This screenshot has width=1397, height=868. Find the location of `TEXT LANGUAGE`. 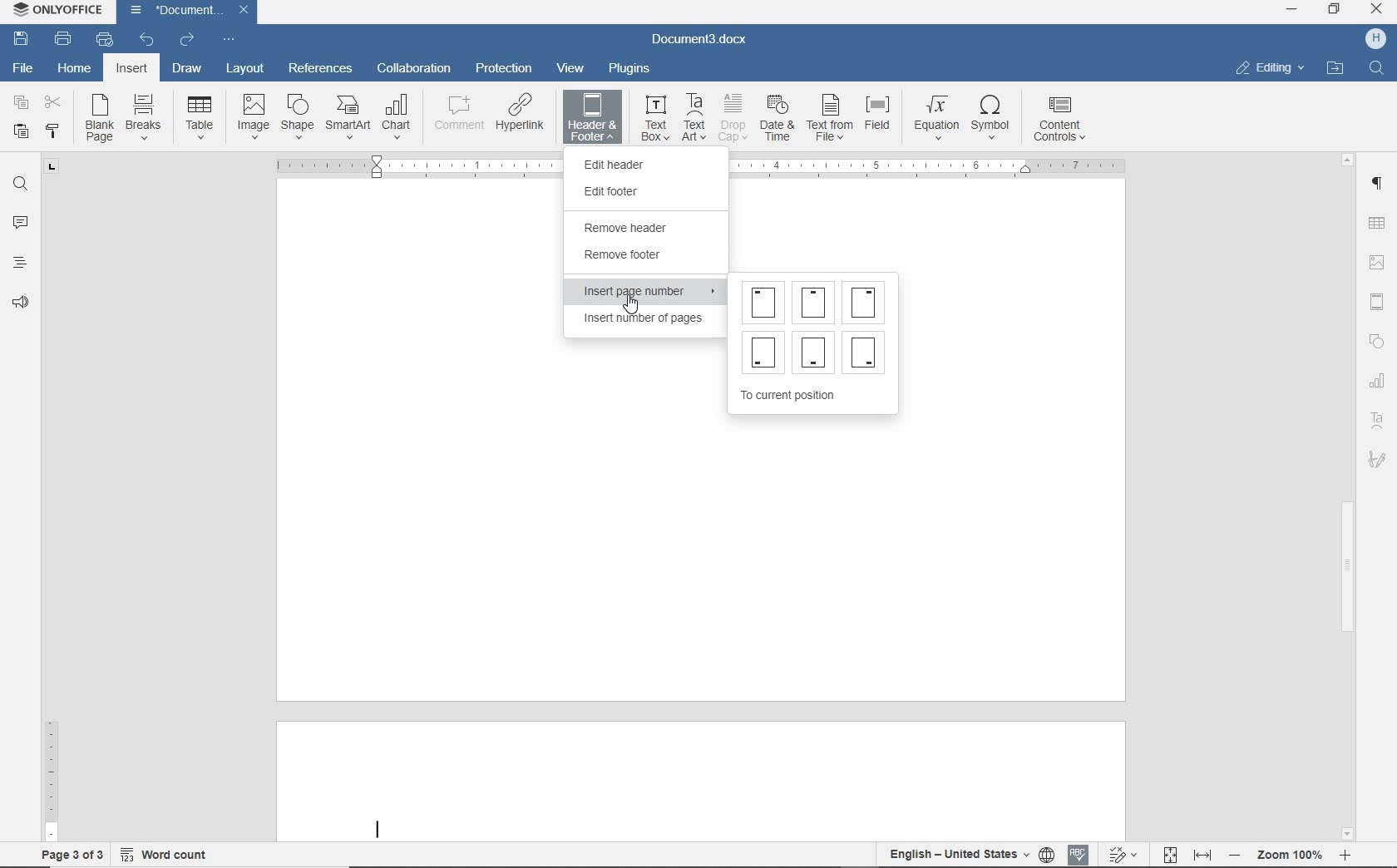

TEXT LANGUAGE is located at coordinates (958, 855).